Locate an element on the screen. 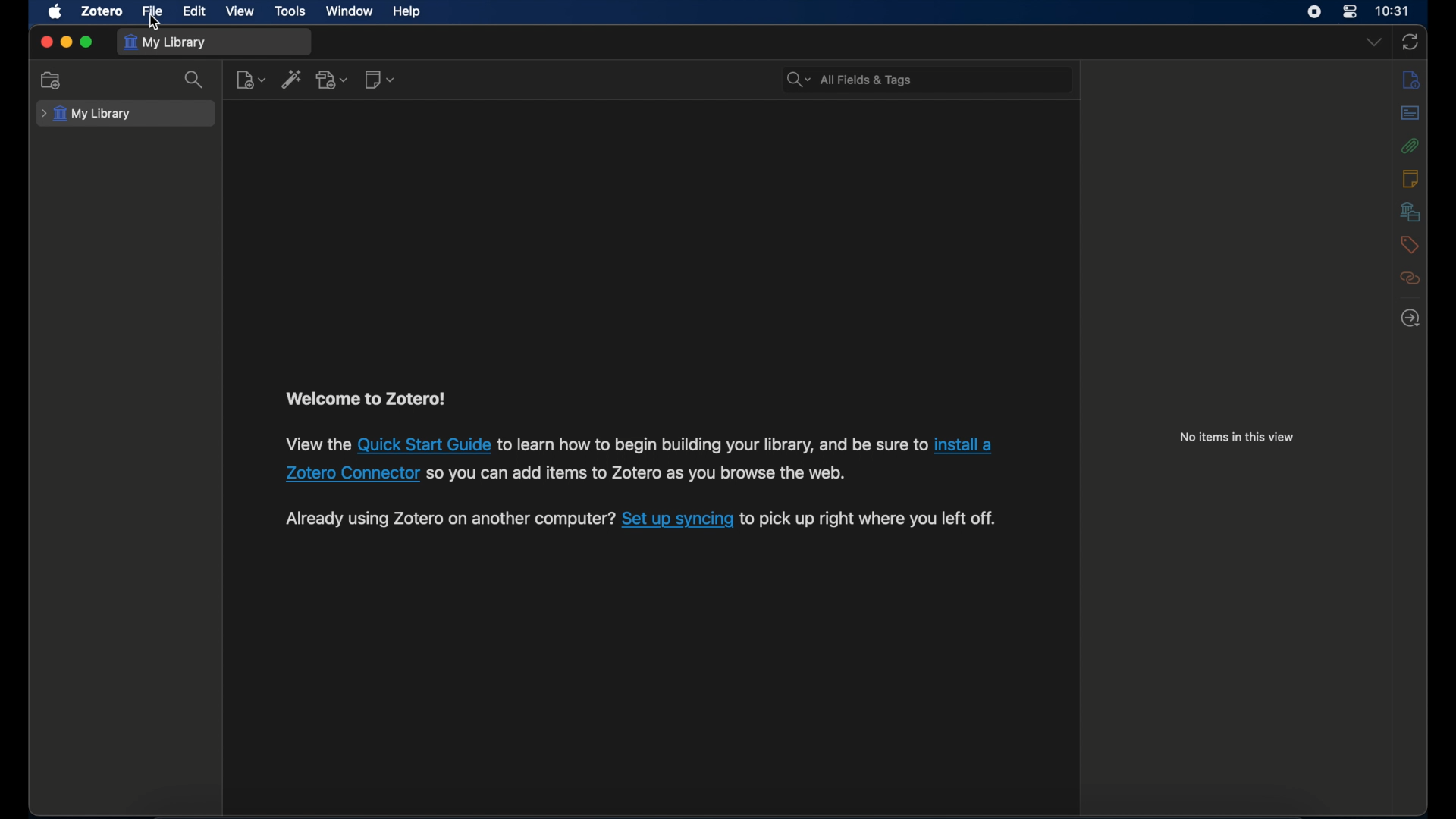 This screenshot has height=819, width=1456. text is located at coordinates (365, 400).